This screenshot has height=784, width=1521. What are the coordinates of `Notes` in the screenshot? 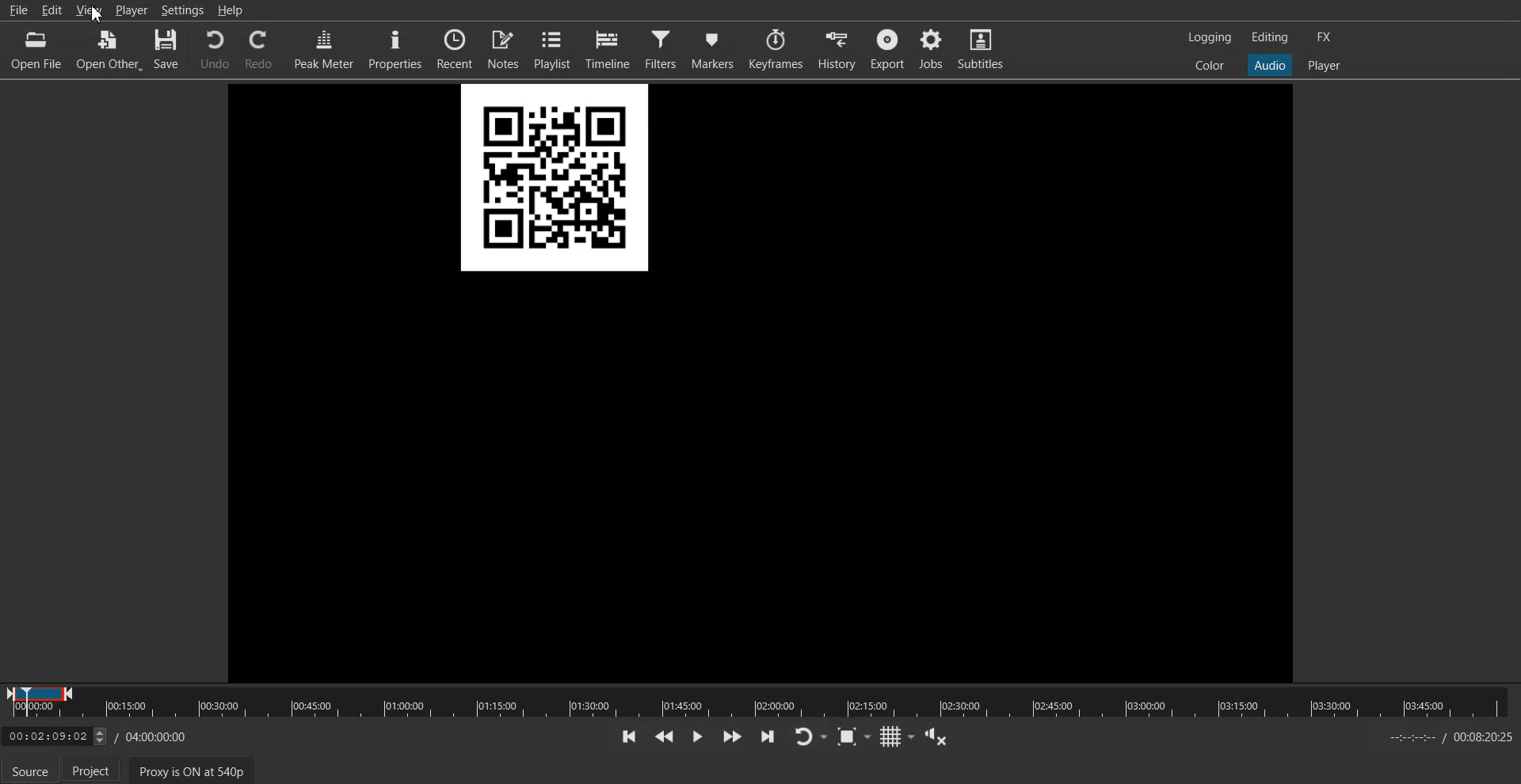 It's located at (504, 48).